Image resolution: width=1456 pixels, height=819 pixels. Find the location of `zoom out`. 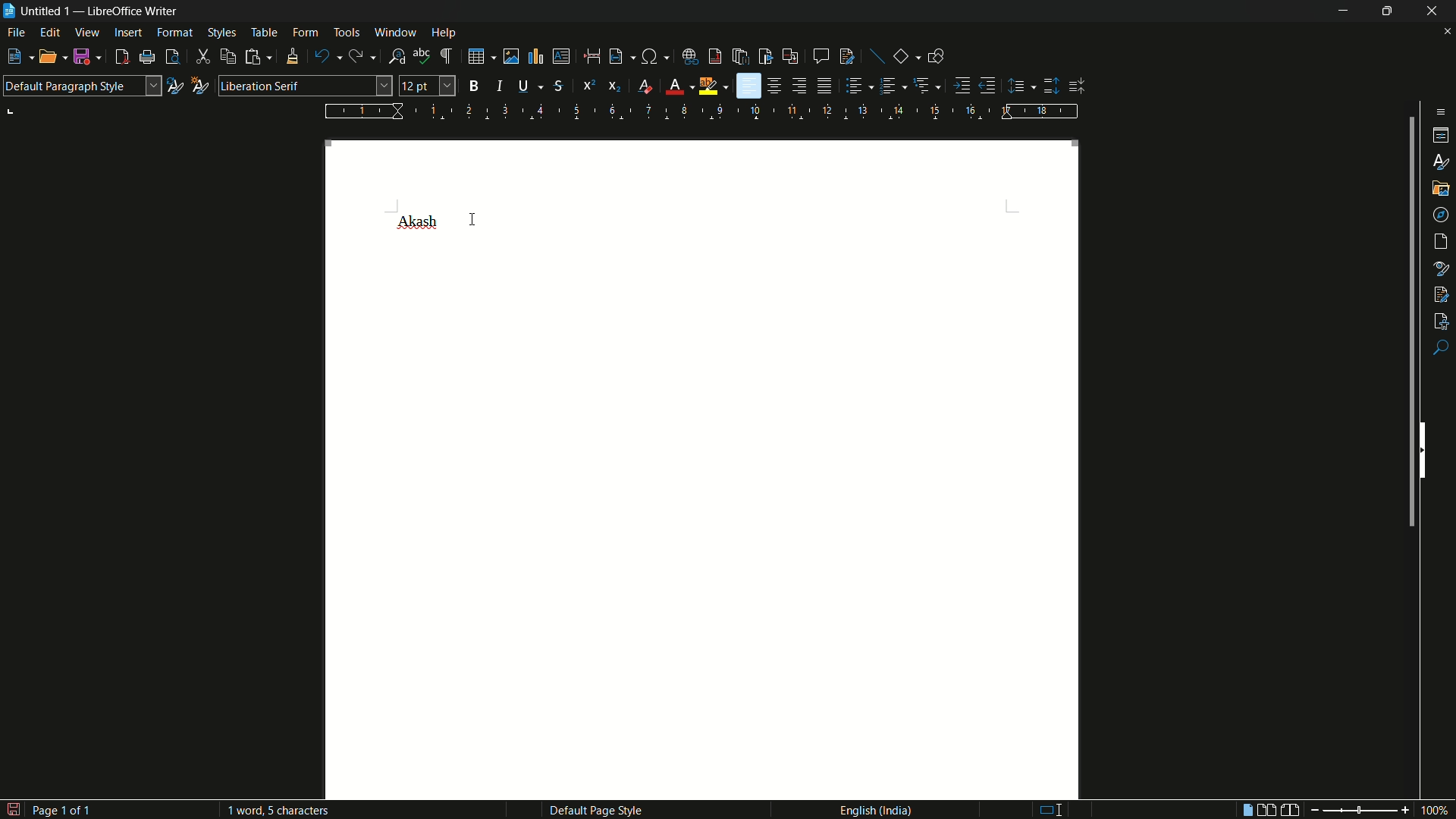

zoom out is located at coordinates (1311, 810).